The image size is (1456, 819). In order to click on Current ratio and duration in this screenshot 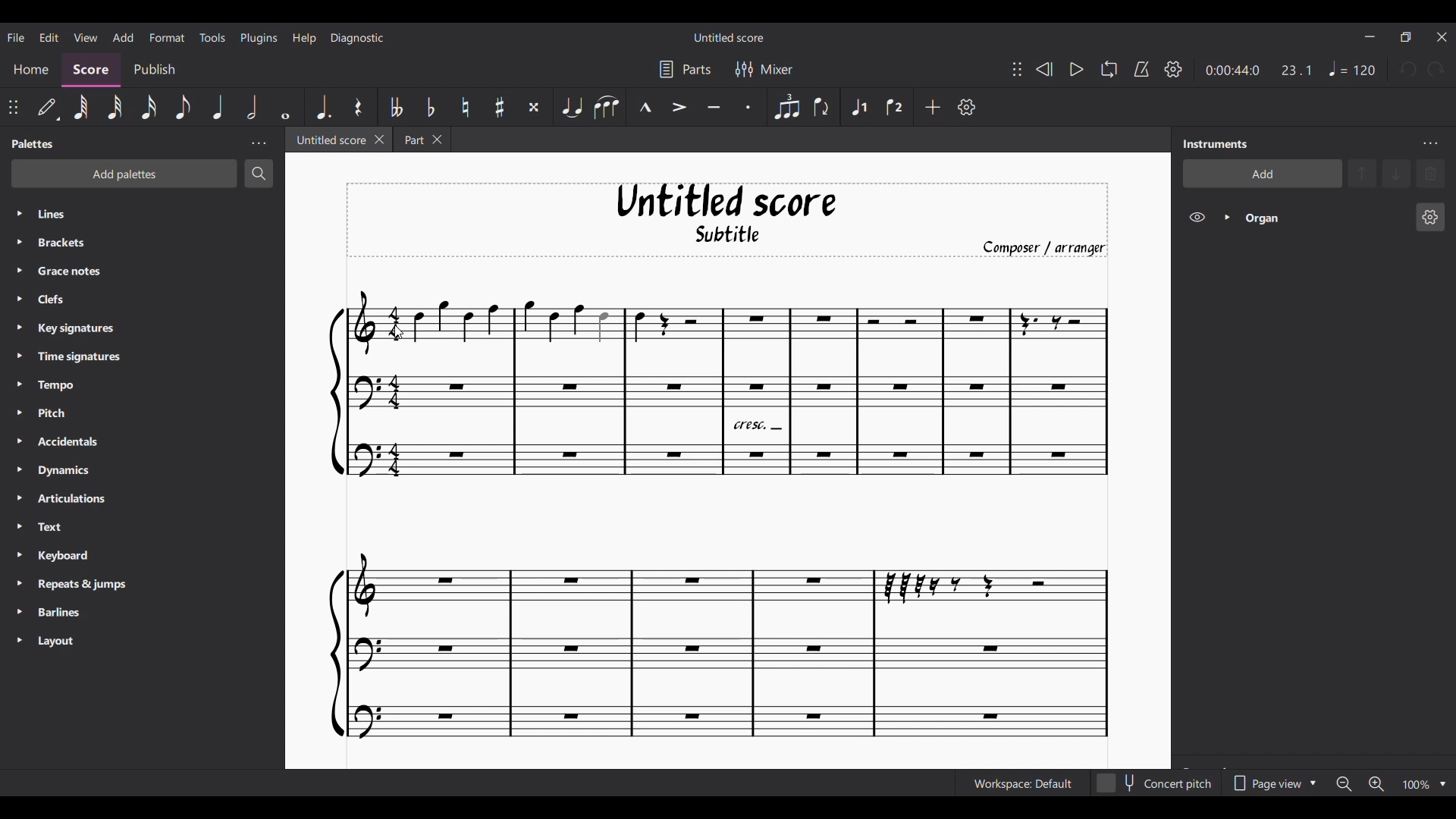, I will do `click(1259, 70)`.